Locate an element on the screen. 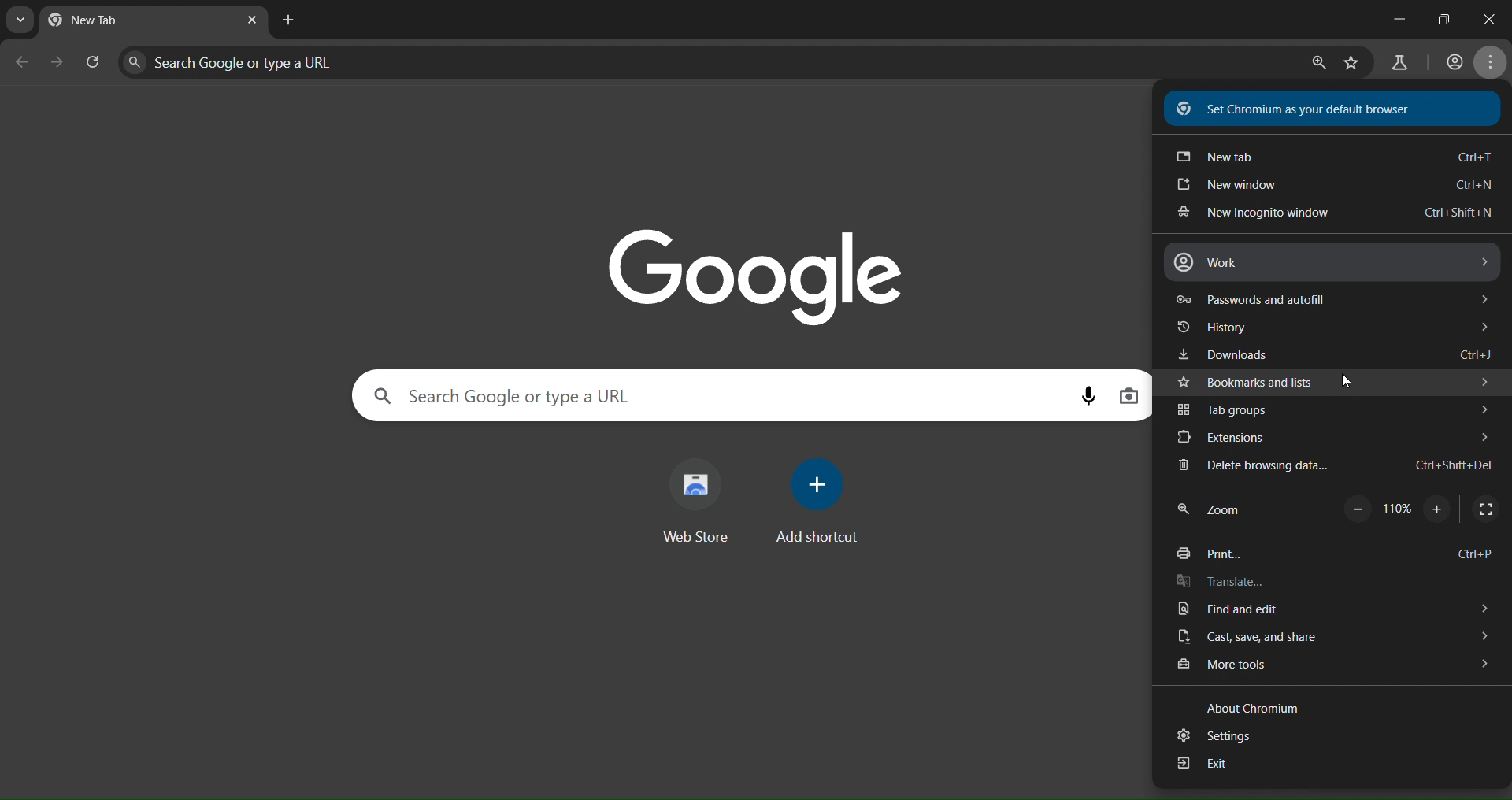 The width and height of the screenshot is (1512, 800). search labs is located at coordinates (1394, 64).